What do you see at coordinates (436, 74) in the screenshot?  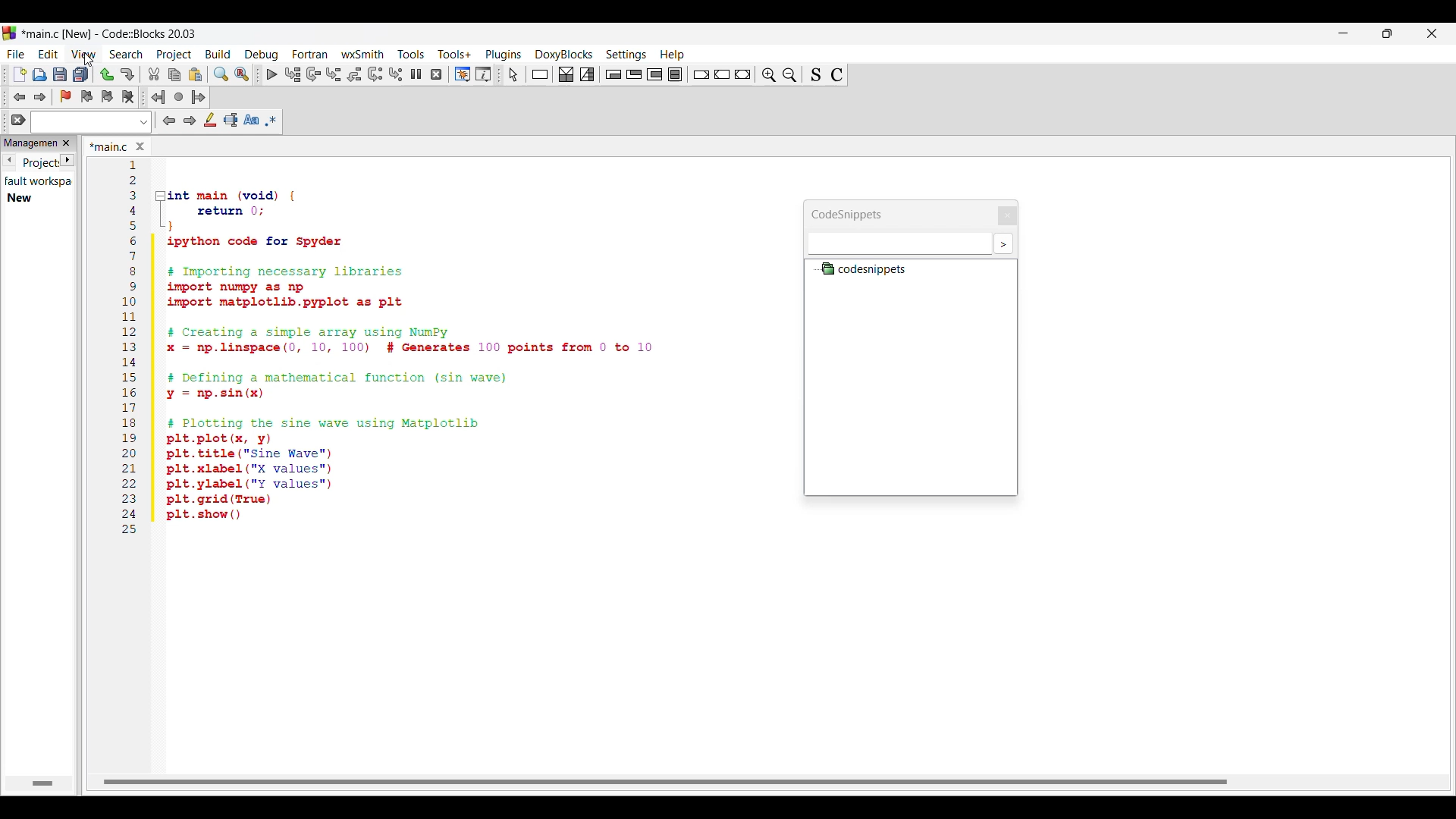 I see `Stop debugger` at bounding box center [436, 74].